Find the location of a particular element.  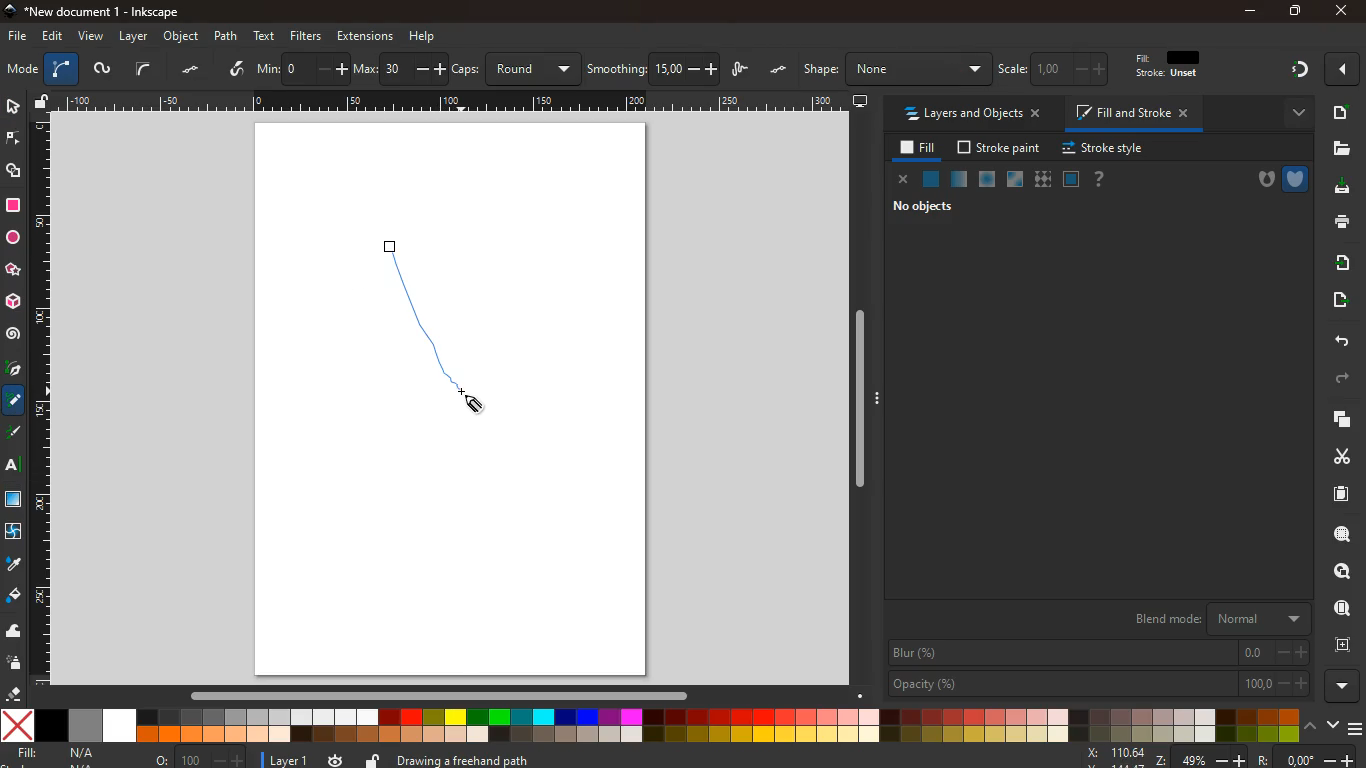

3d tool is located at coordinates (12, 302).